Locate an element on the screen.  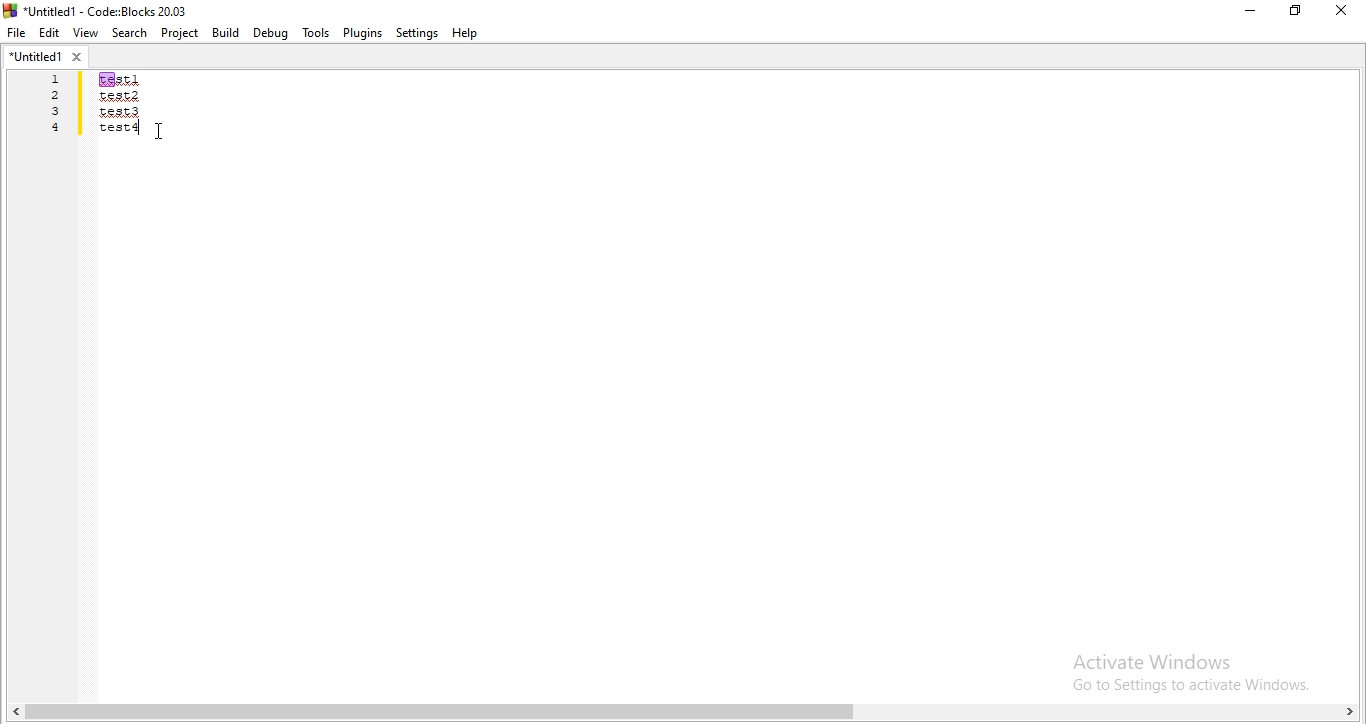
View  is located at coordinates (85, 33).